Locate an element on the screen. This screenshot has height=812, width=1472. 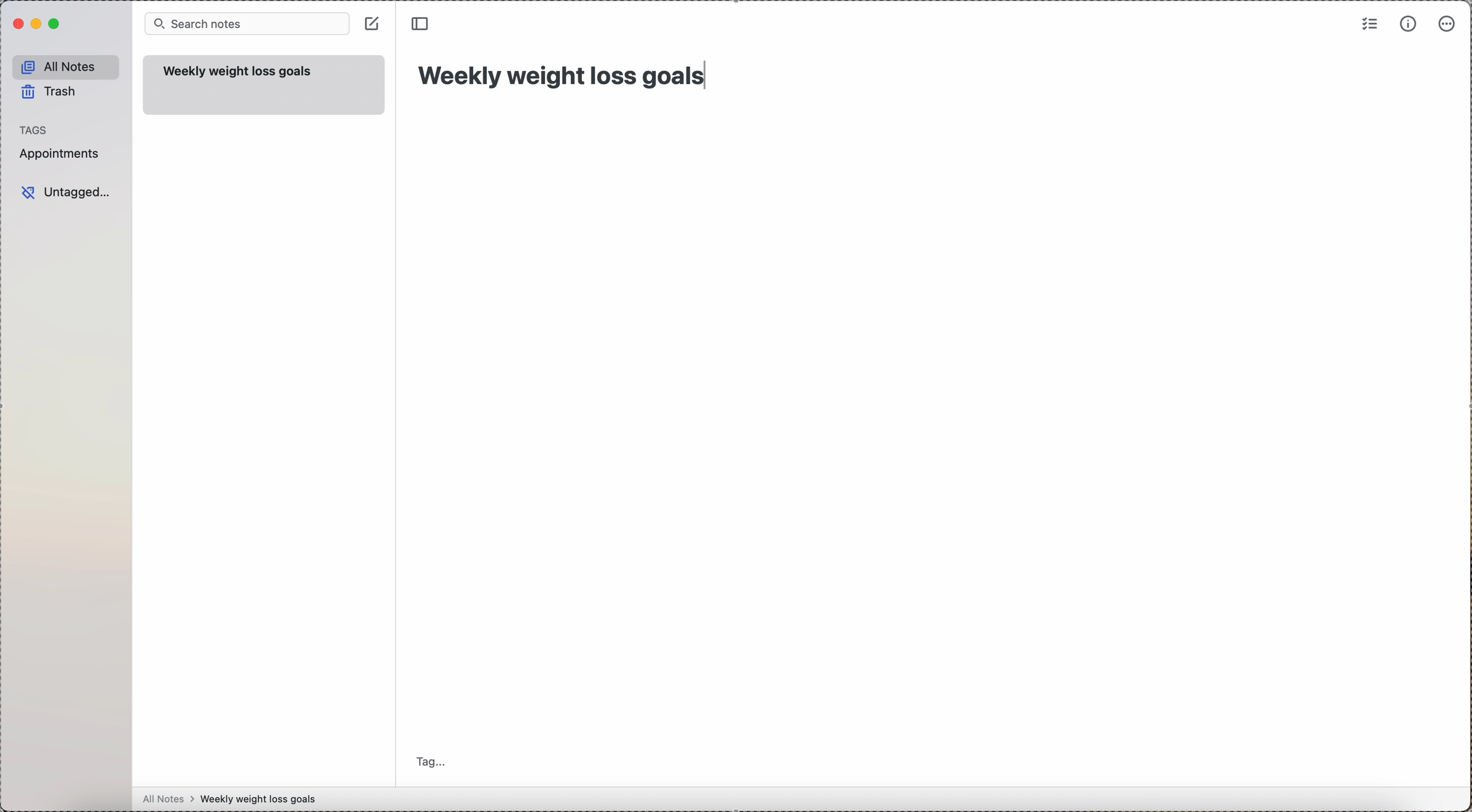
appointments is located at coordinates (62, 155).